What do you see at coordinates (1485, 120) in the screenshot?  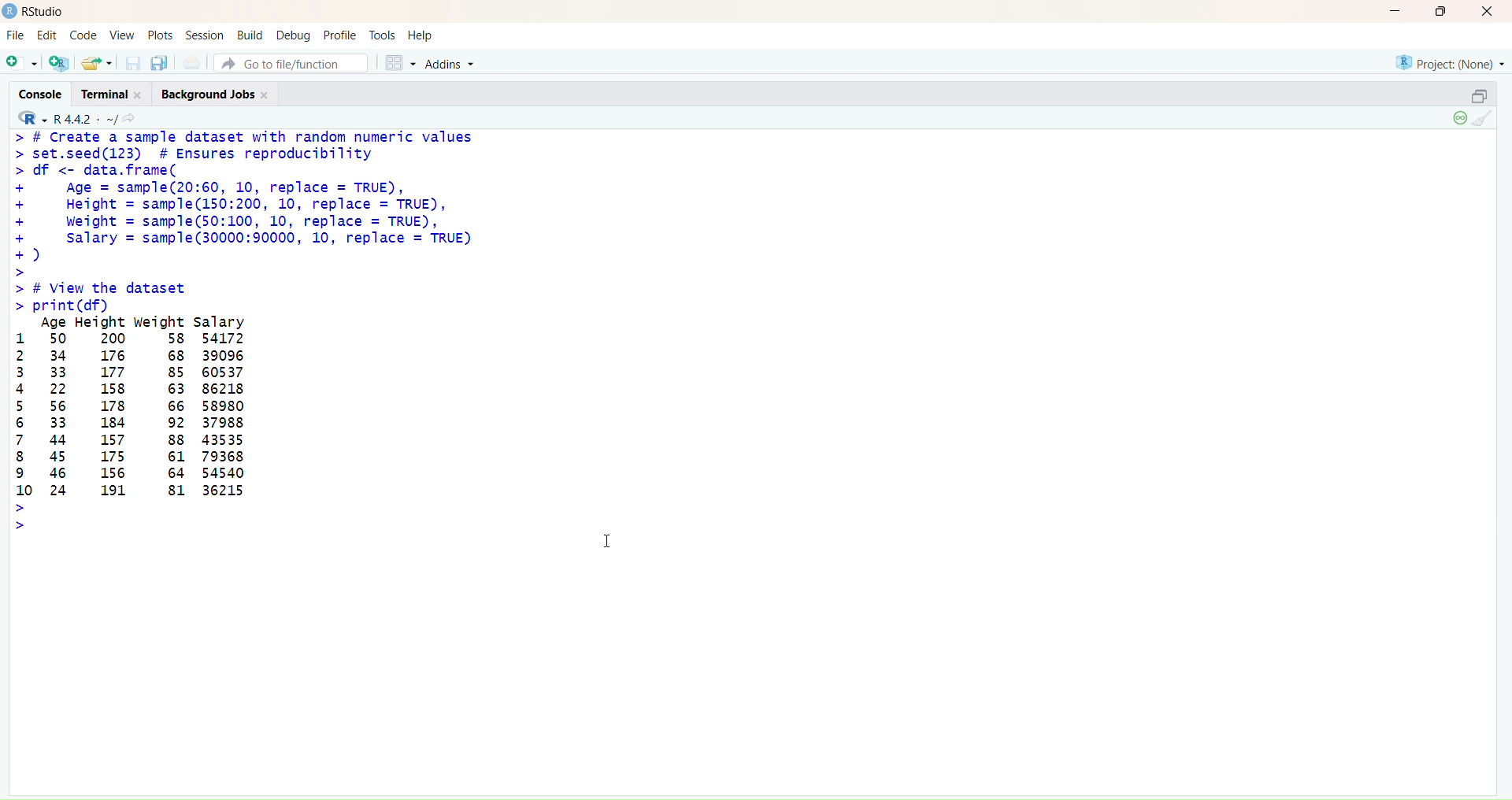 I see `Clear Console (Ctrl + L)` at bounding box center [1485, 120].